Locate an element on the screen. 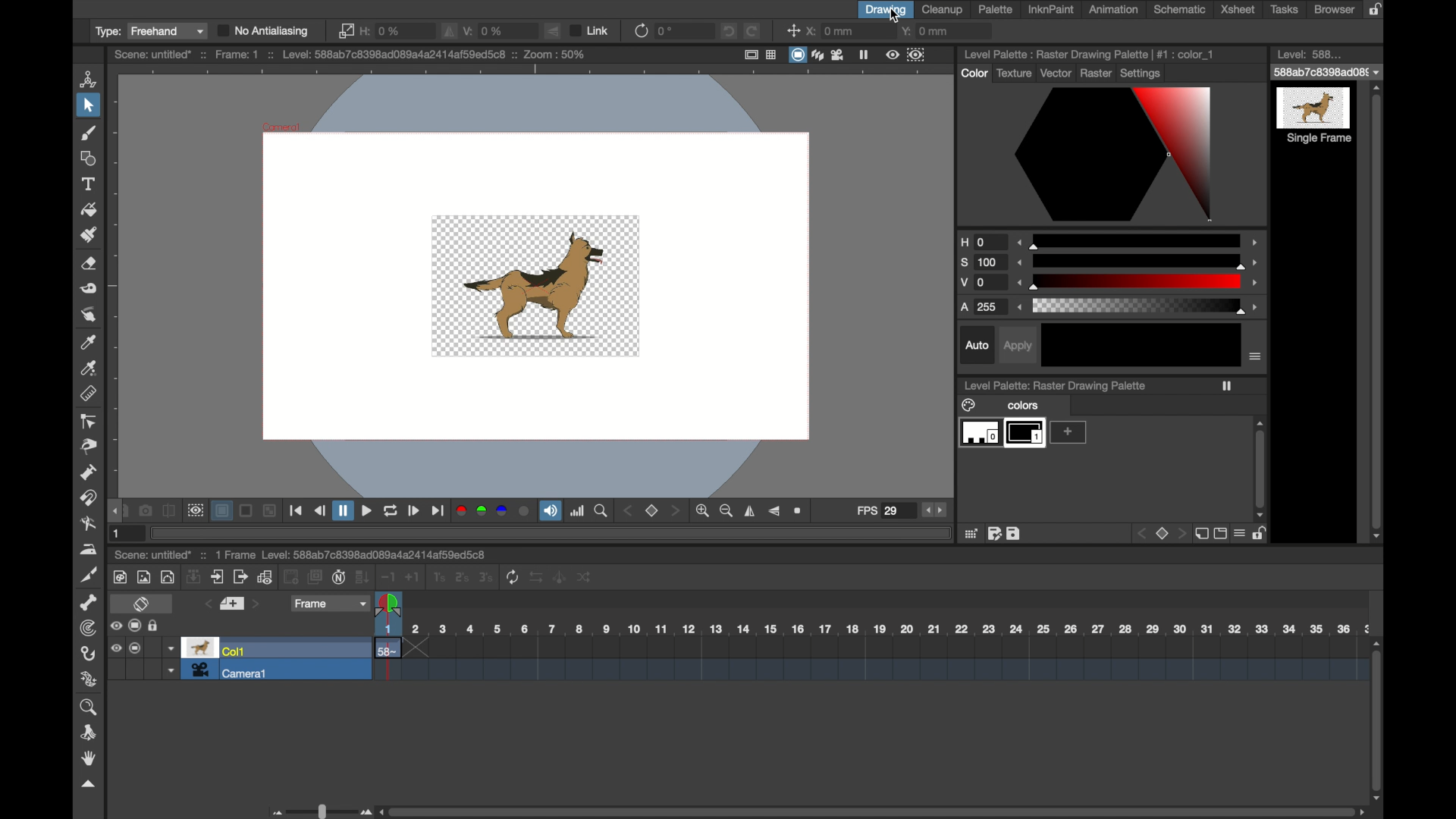  color is located at coordinates (968, 76).